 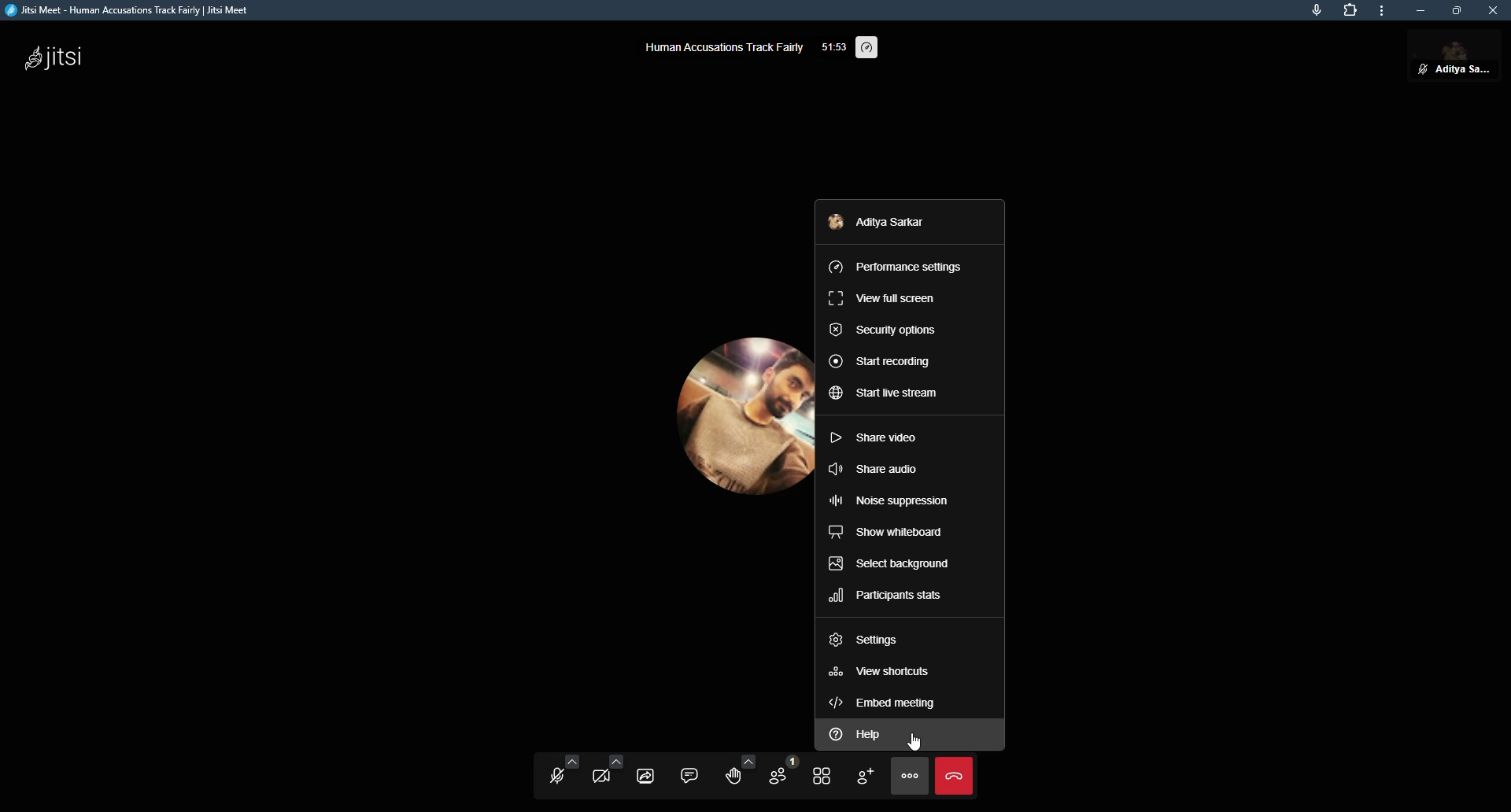 I want to click on close, so click(x=1494, y=10).